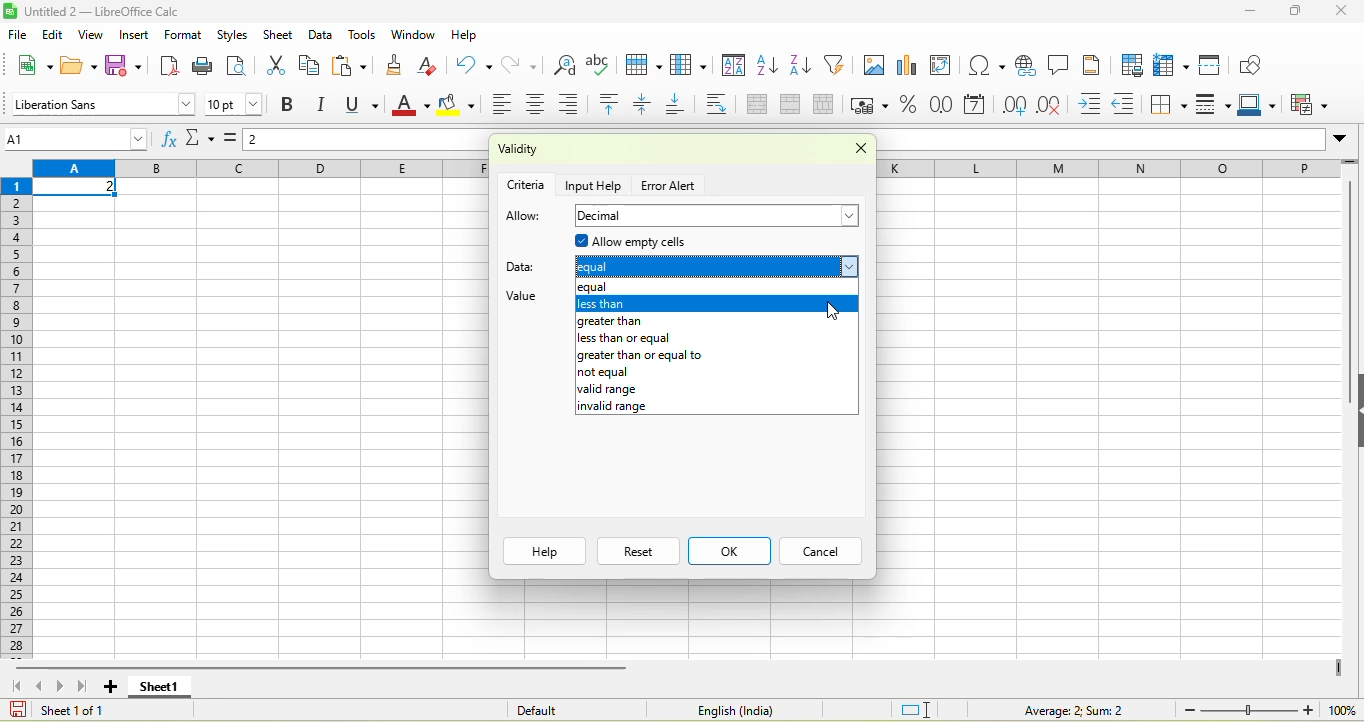  I want to click on font size, so click(235, 104).